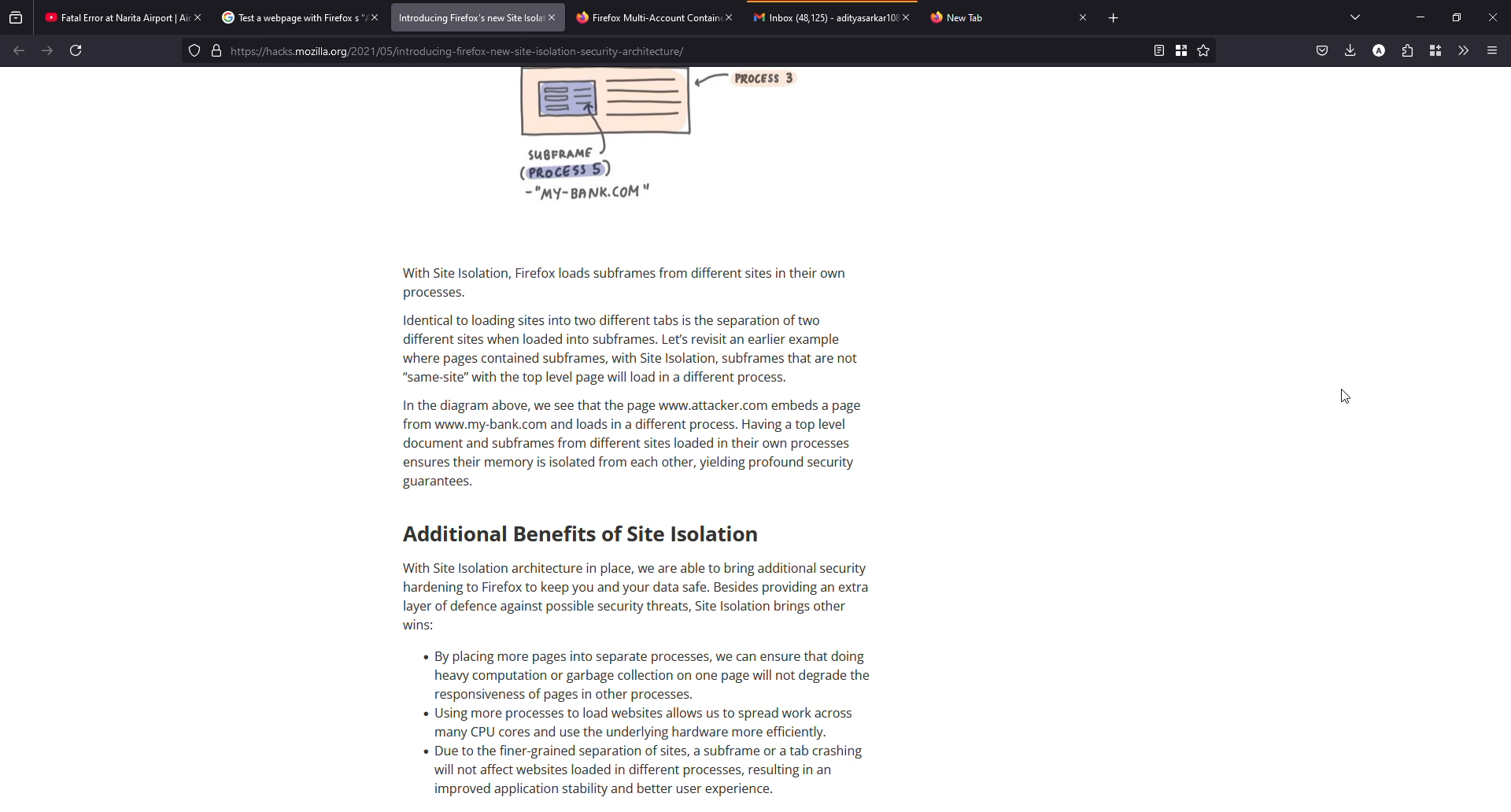 Image resolution: width=1511 pixels, height=812 pixels. I want to click on close, so click(1493, 17).